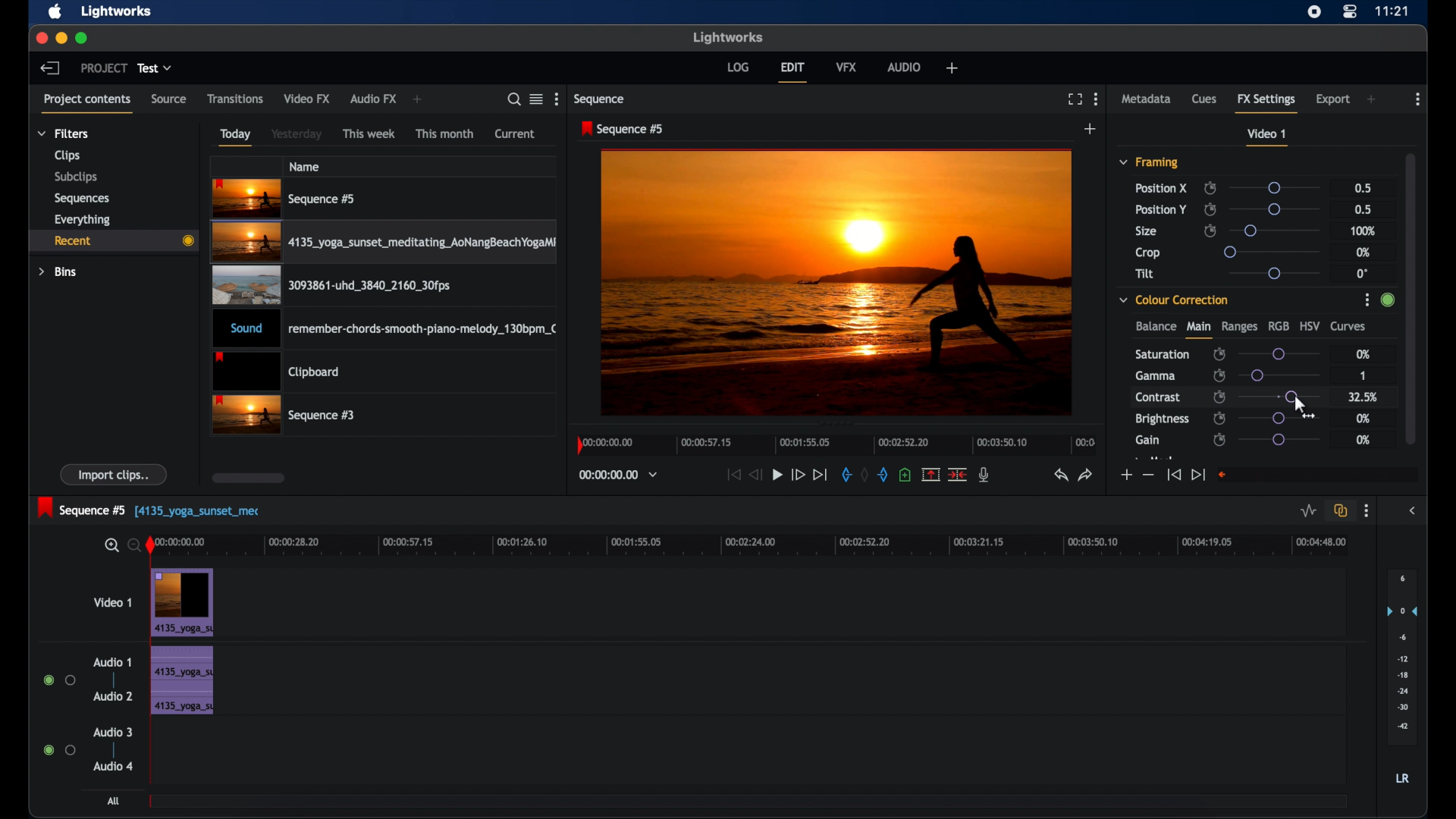 This screenshot has height=819, width=1456. I want to click on mic, so click(984, 474).